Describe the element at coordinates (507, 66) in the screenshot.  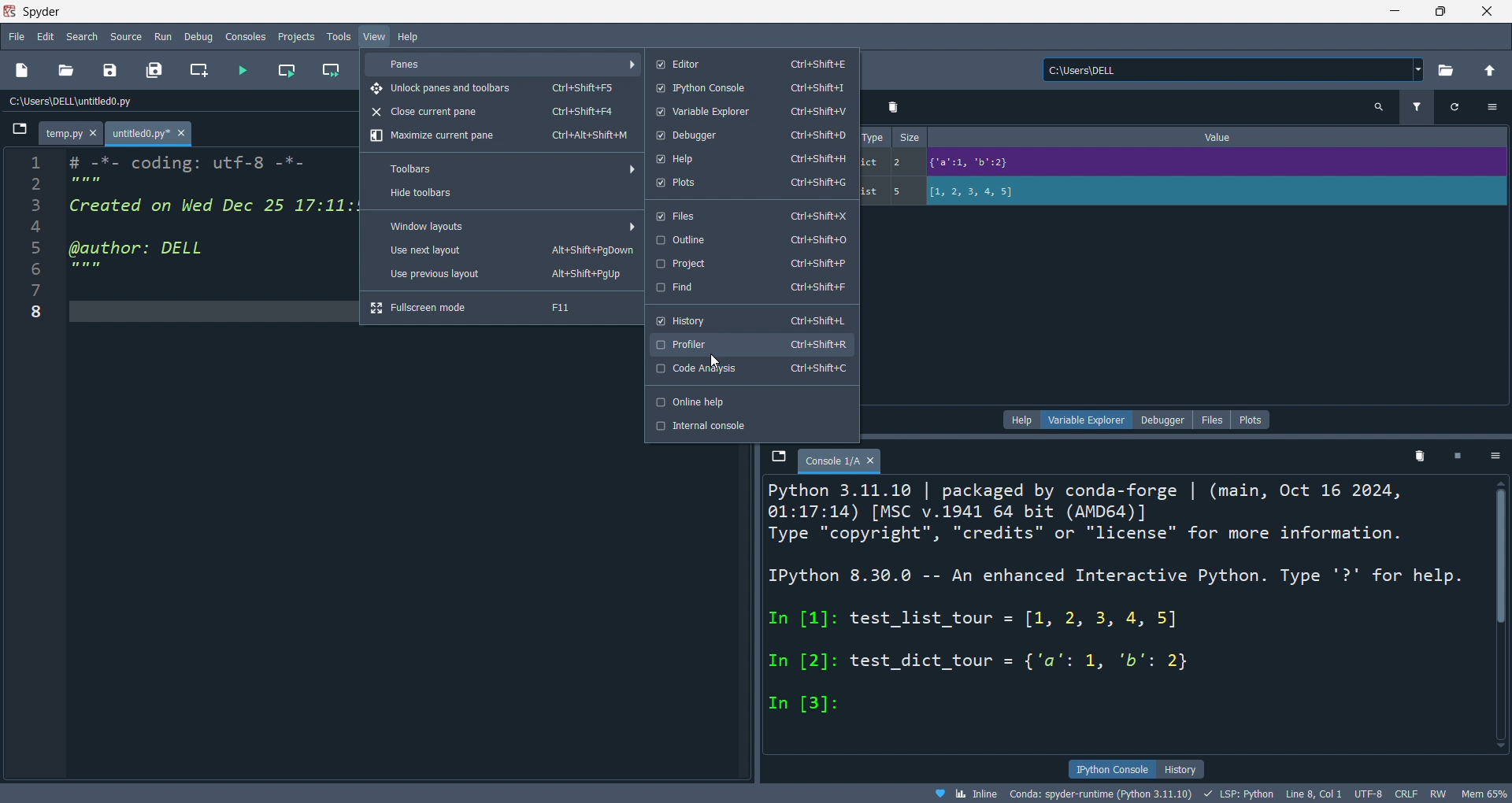
I see `panes` at that location.